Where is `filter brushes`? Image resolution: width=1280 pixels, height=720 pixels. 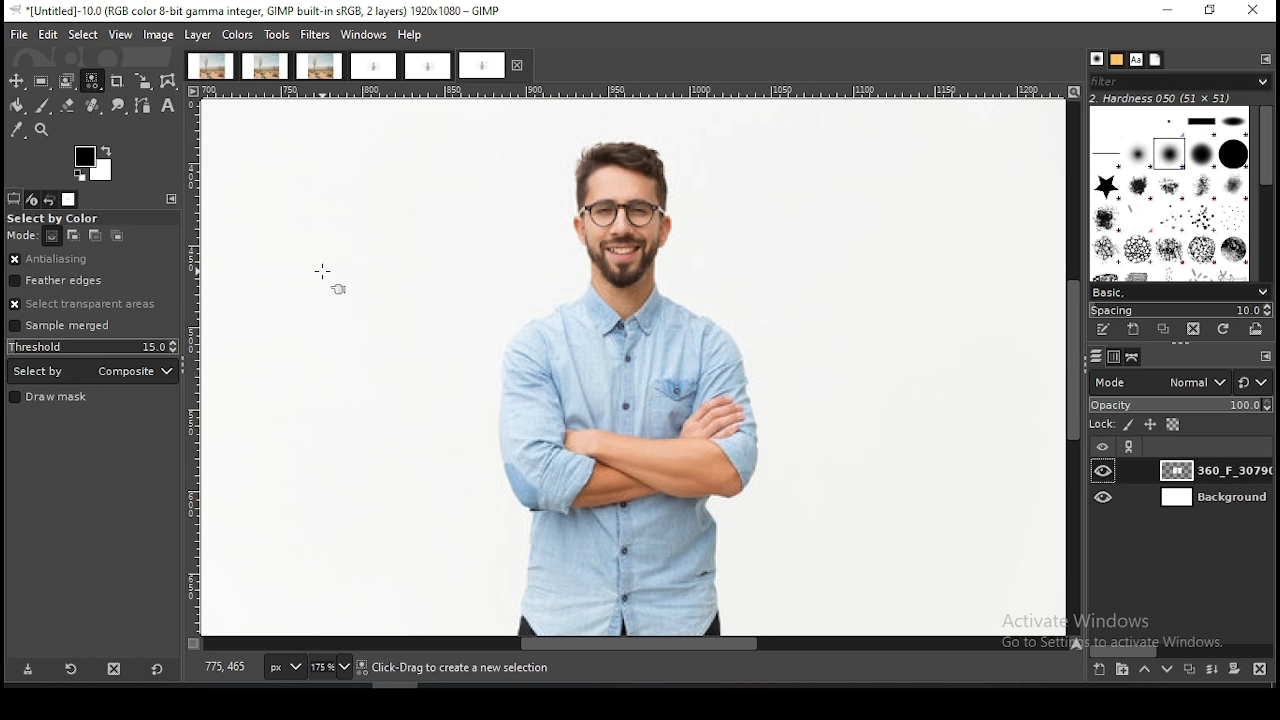 filter brushes is located at coordinates (1180, 82).